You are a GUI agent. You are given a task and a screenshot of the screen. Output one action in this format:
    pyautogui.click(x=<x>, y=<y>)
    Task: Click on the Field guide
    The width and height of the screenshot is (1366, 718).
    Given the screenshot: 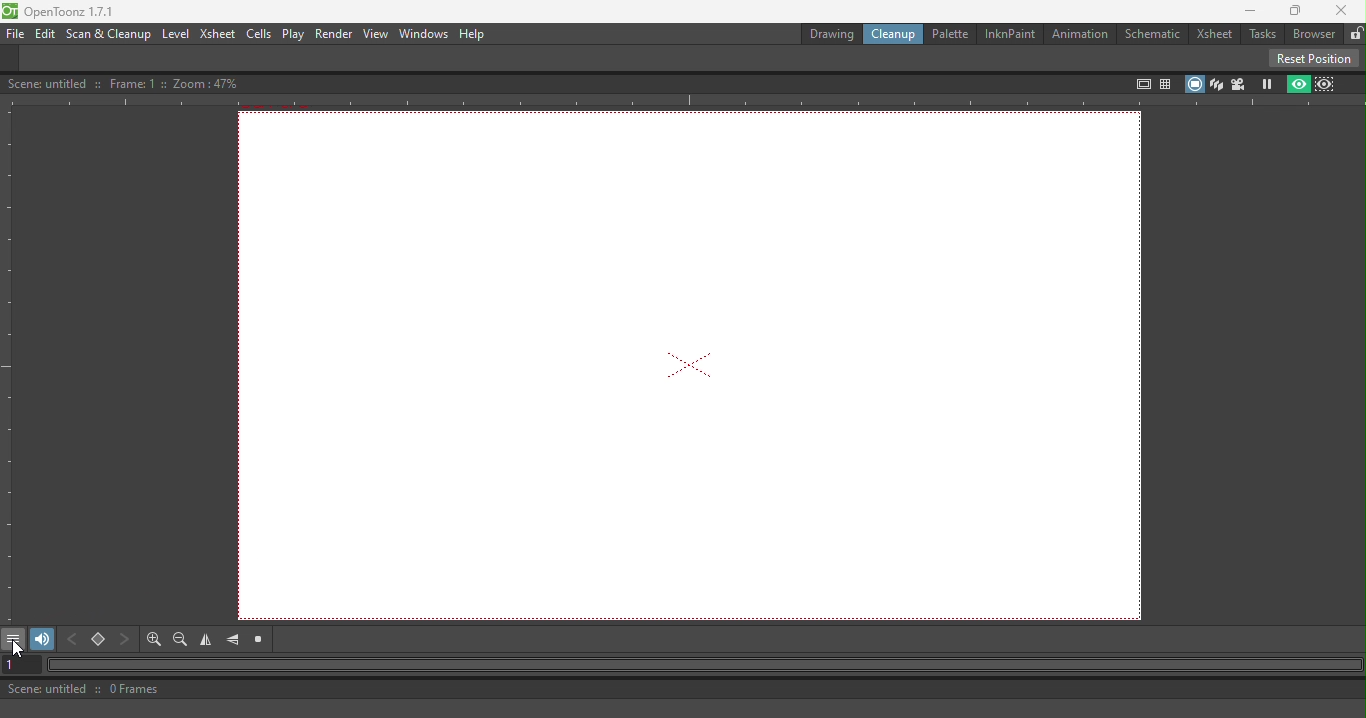 What is the action you would take?
    pyautogui.click(x=1168, y=80)
    